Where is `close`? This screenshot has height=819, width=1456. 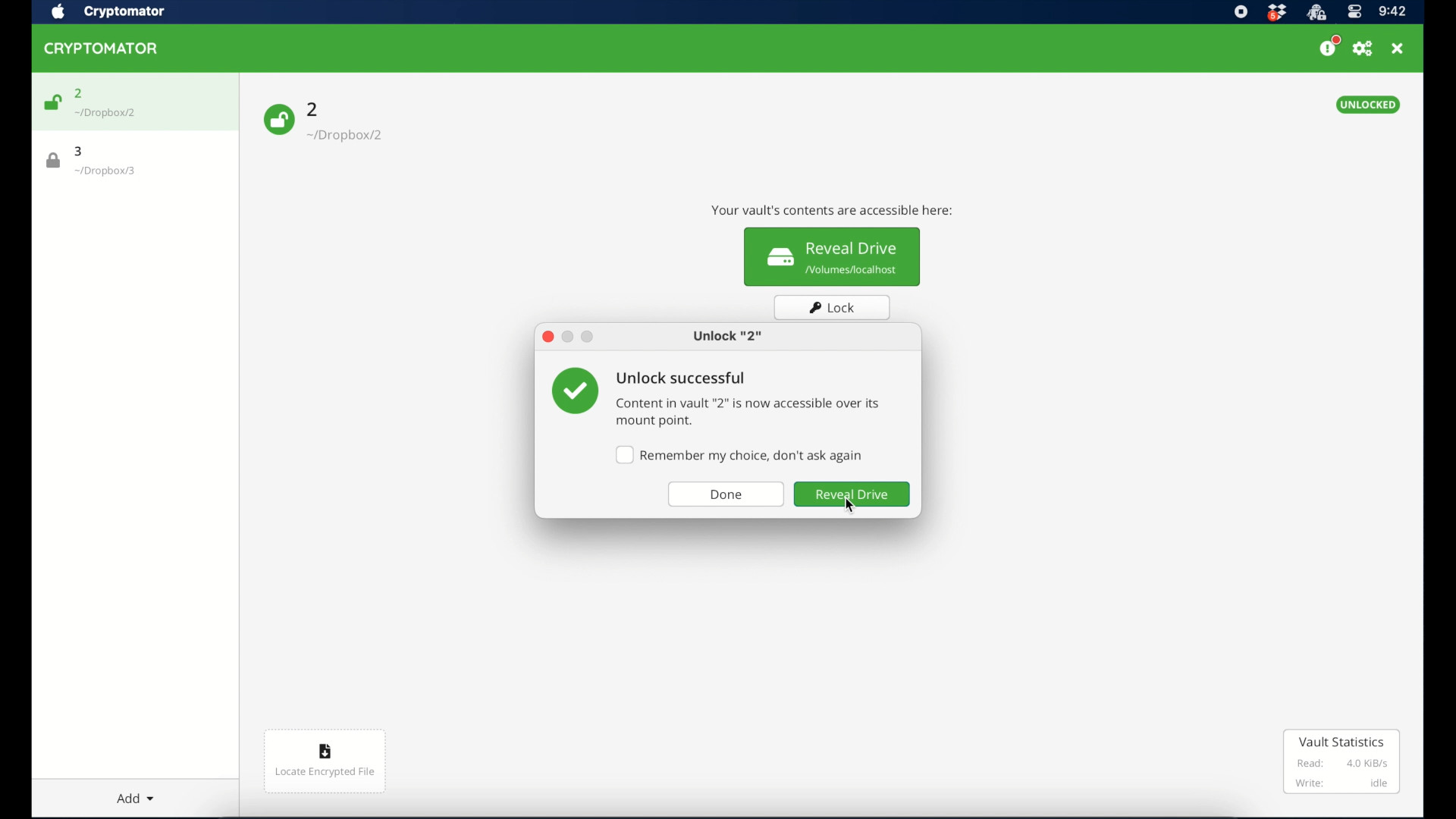 close is located at coordinates (548, 337).